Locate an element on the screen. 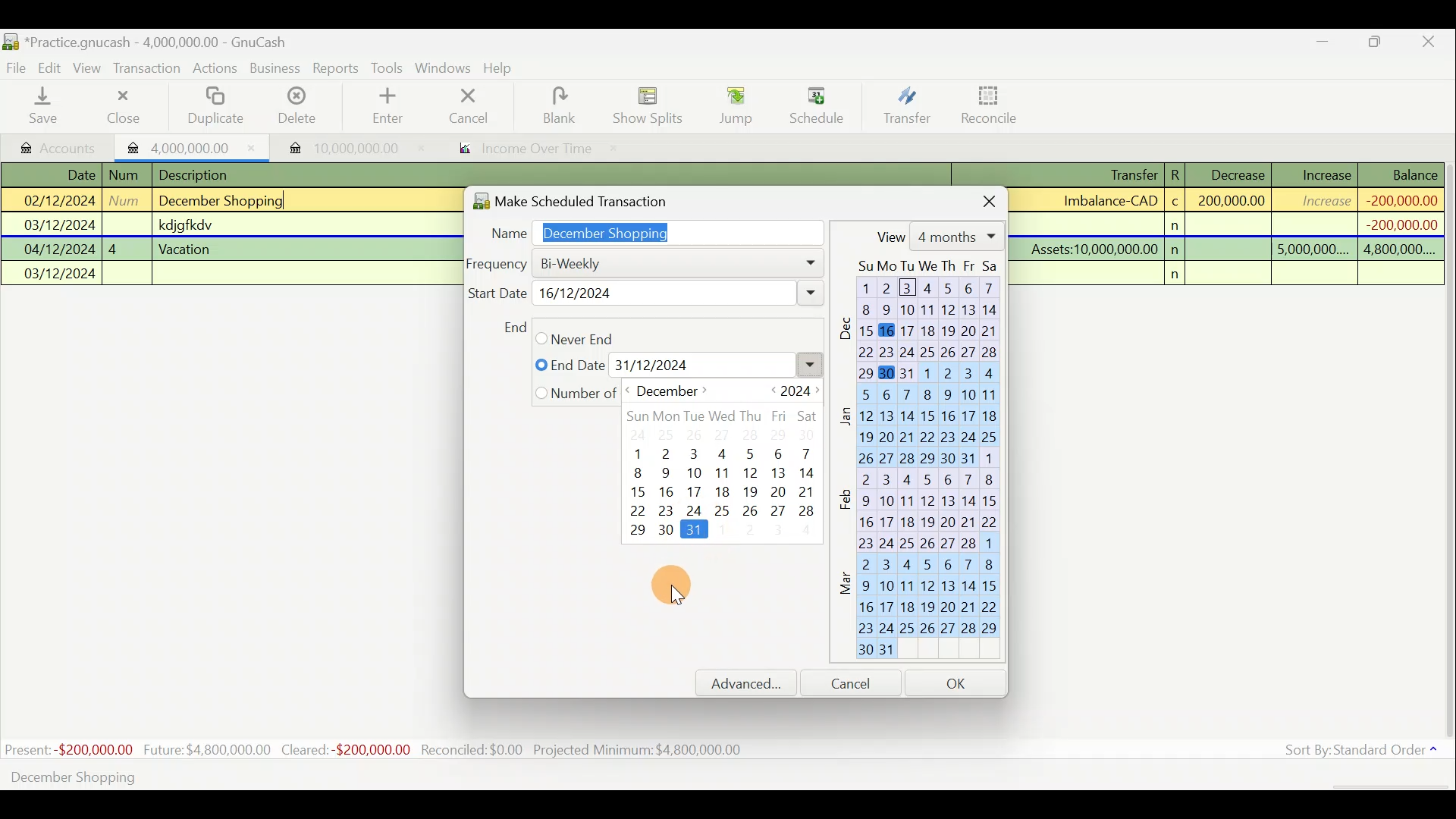 This screenshot has height=819, width=1456. Maximise is located at coordinates (1376, 44).